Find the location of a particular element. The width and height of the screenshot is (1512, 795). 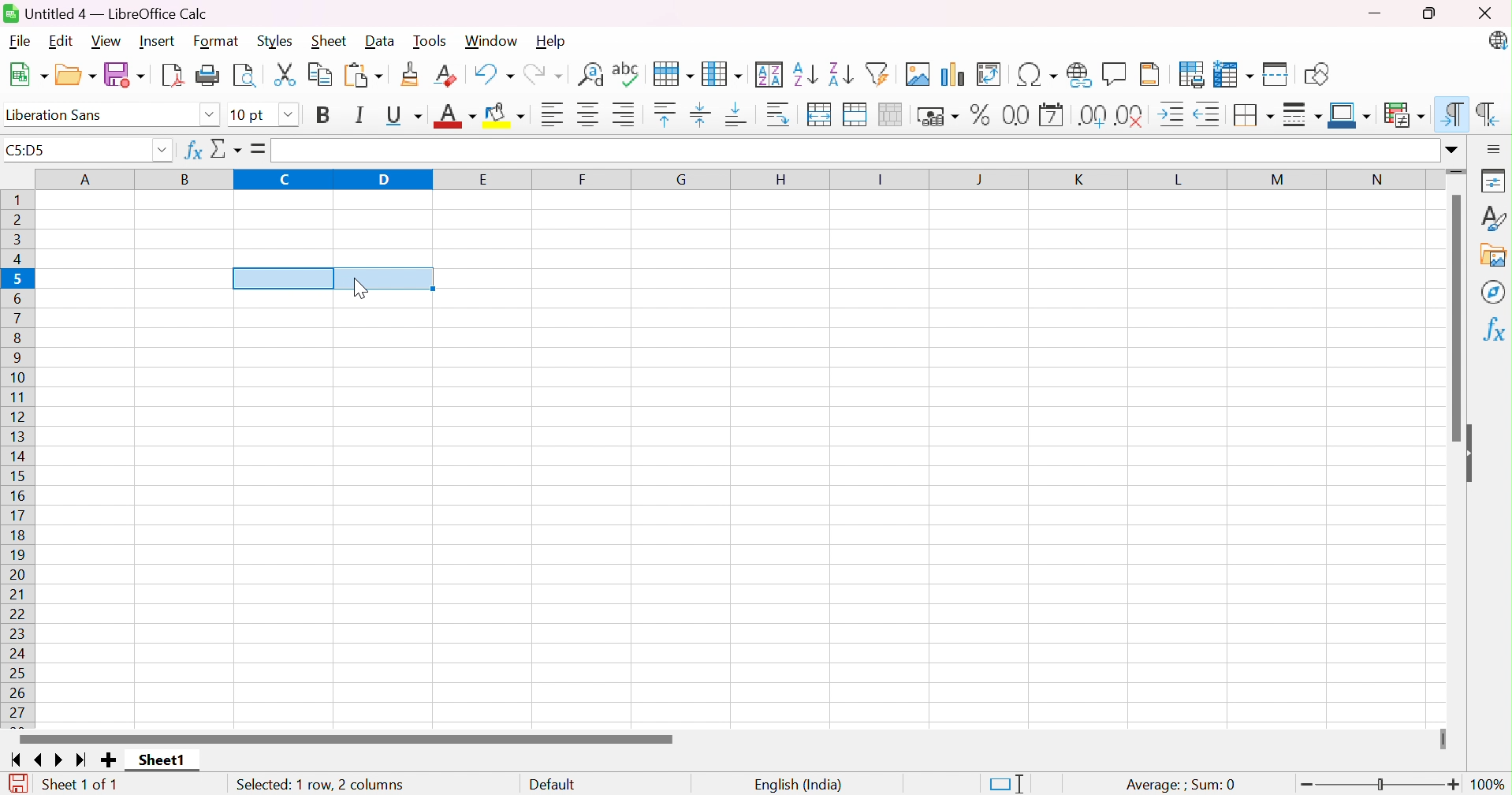

Sort Ascending is located at coordinates (806, 72).